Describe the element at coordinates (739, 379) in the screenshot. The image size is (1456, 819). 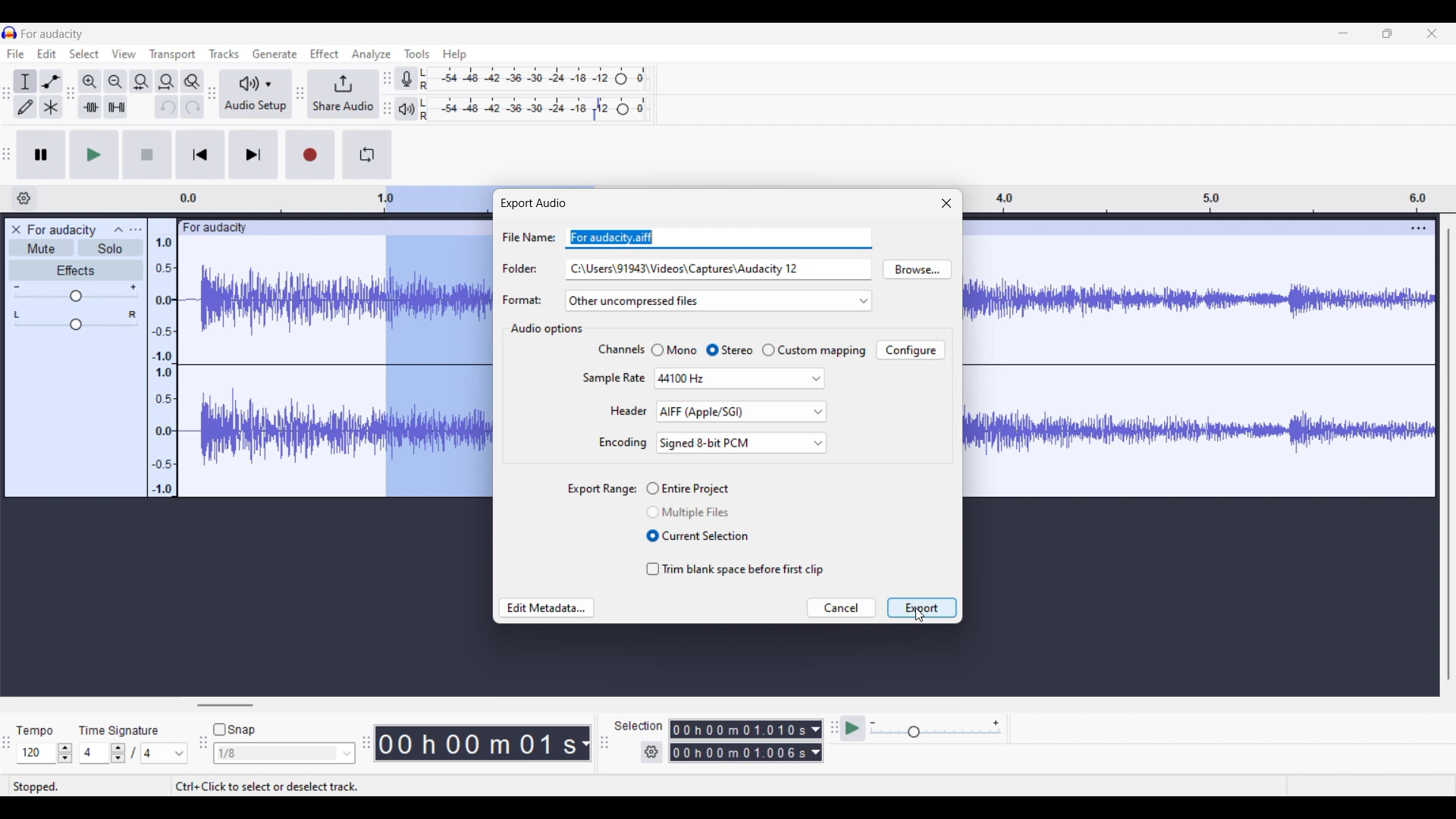
I see `44100 Hz v` at that location.